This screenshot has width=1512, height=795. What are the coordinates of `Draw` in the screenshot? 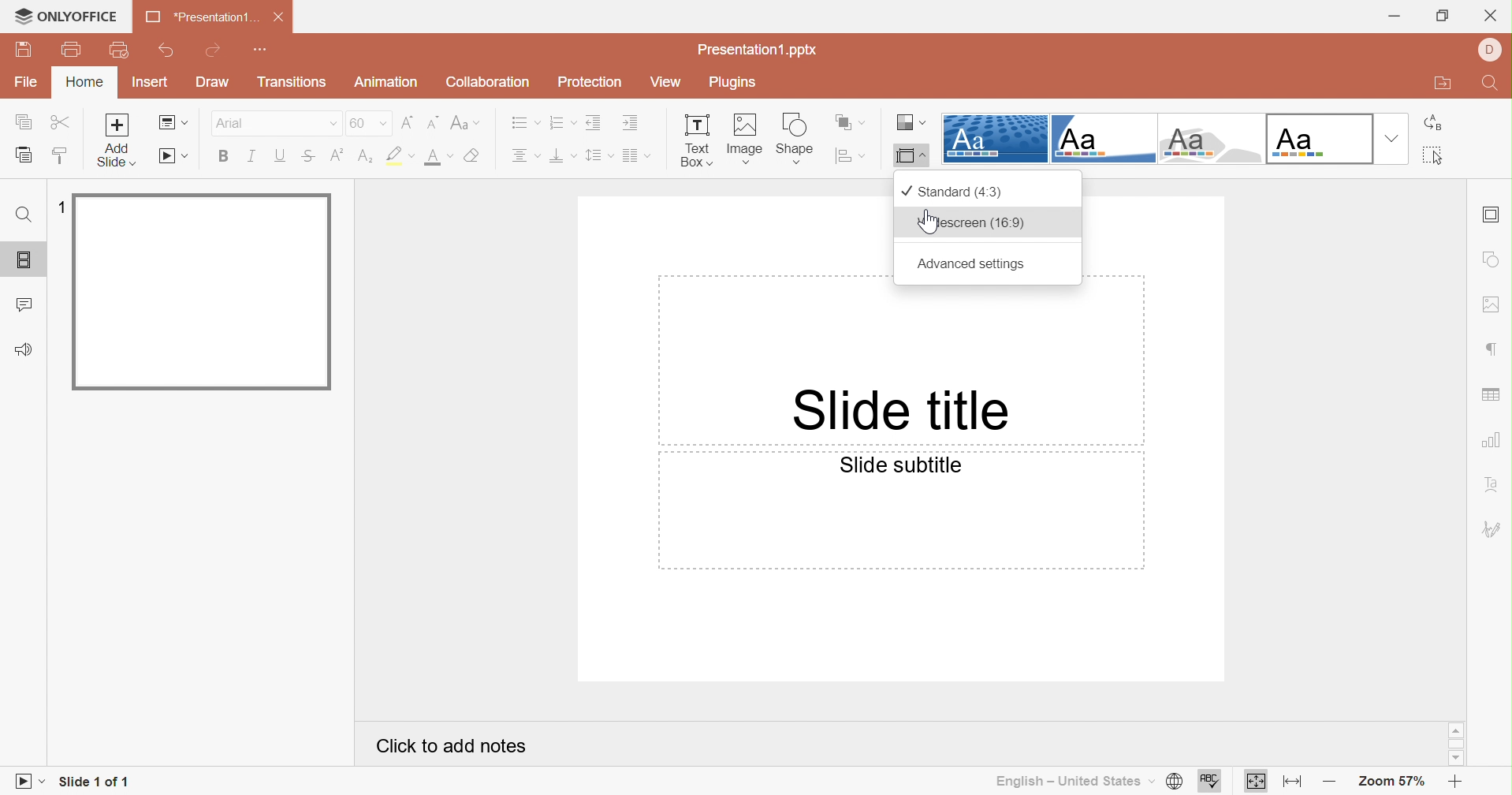 It's located at (213, 82).